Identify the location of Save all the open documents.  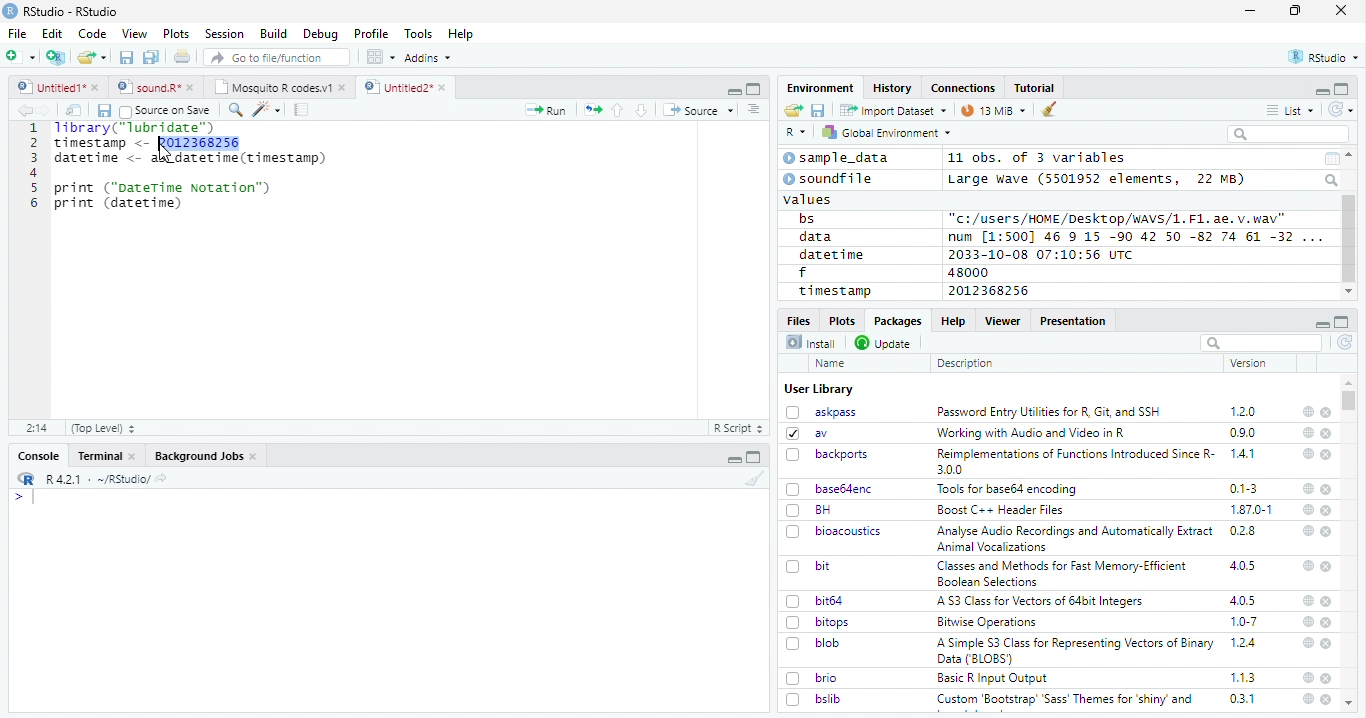
(152, 58).